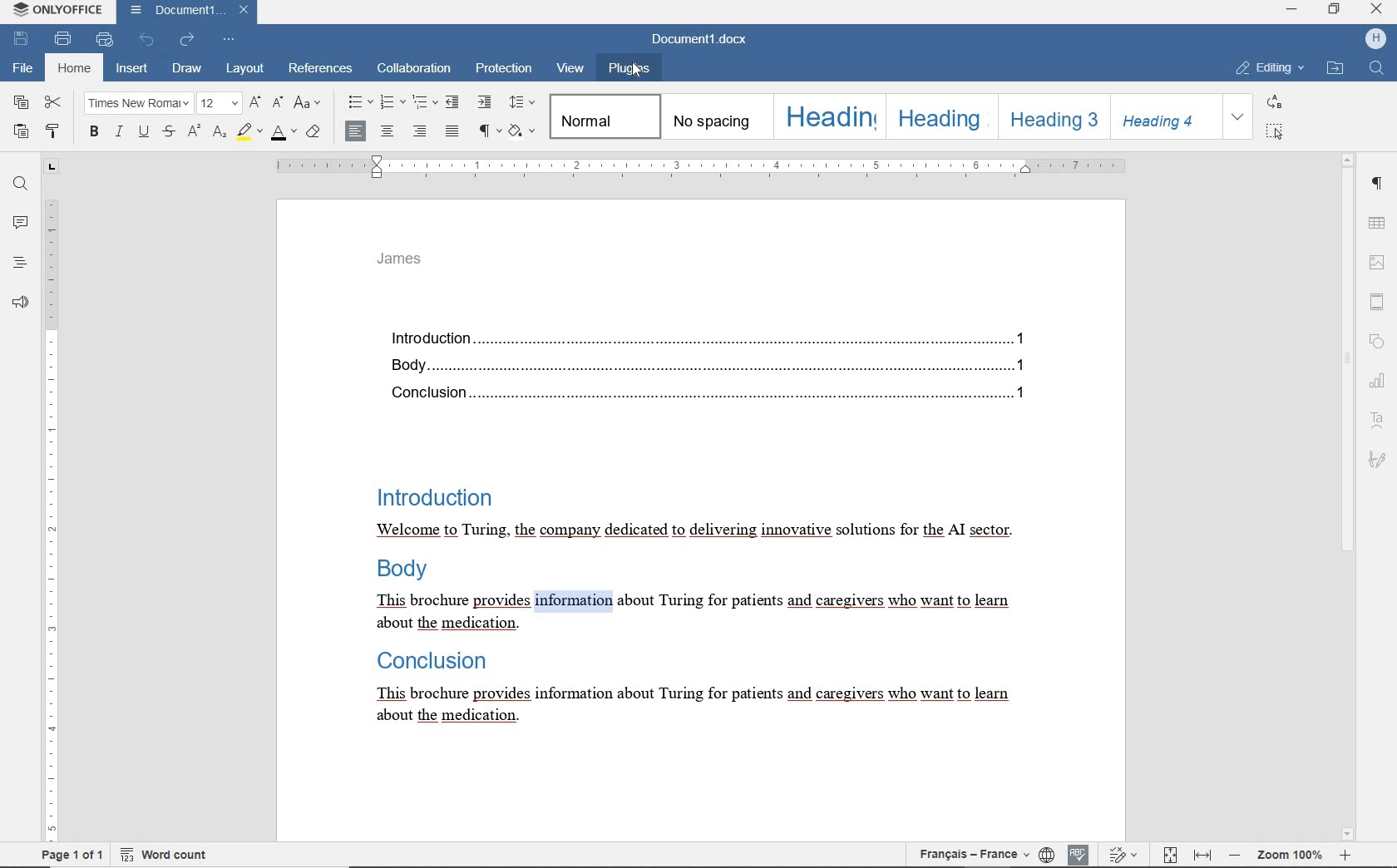 Image resolution: width=1397 pixels, height=868 pixels. Describe the element at coordinates (1375, 40) in the screenshot. I see `profile` at that location.